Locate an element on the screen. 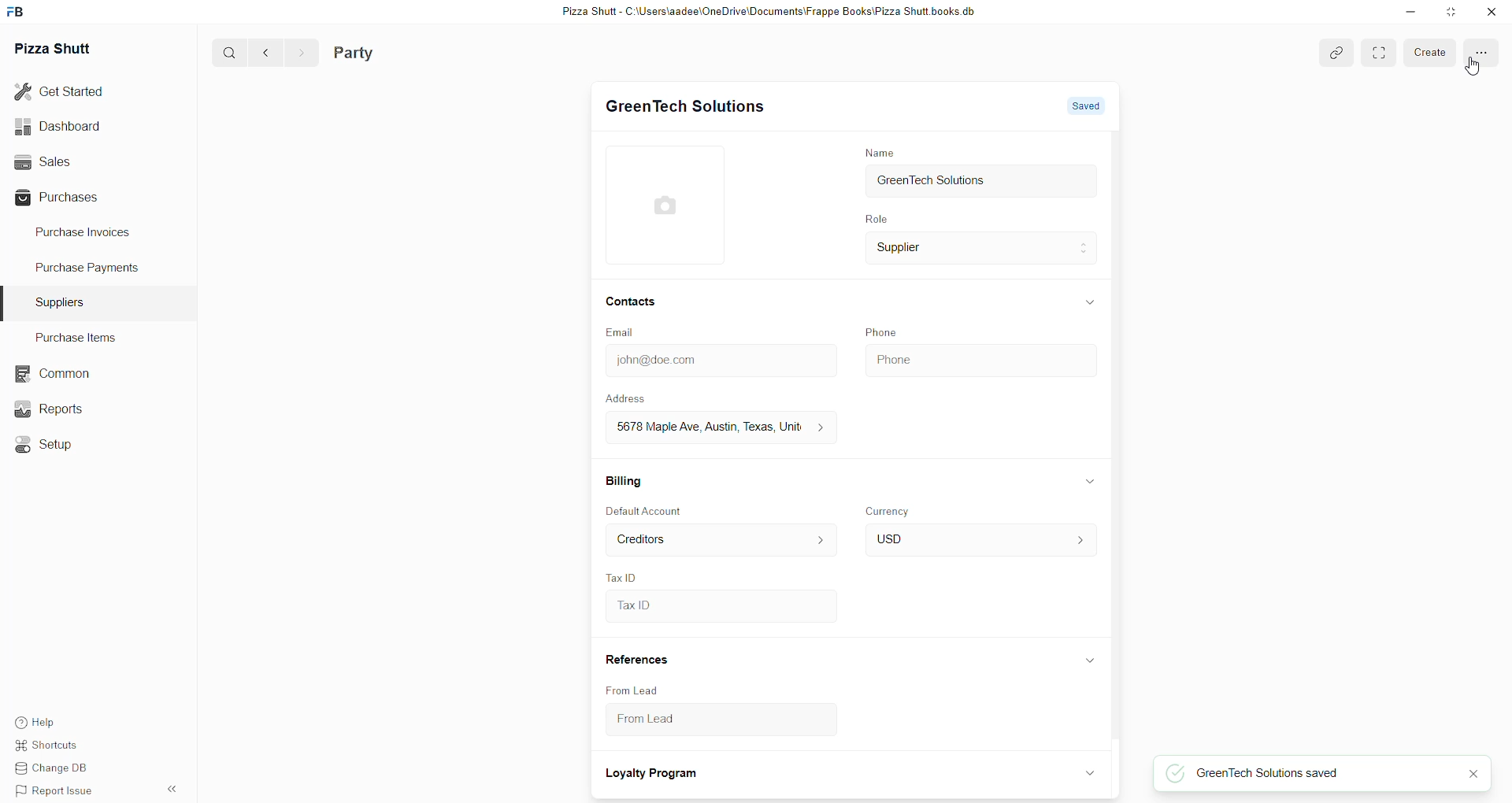 The width and height of the screenshot is (1512, 803). Setup is located at coordinates (46, 442).